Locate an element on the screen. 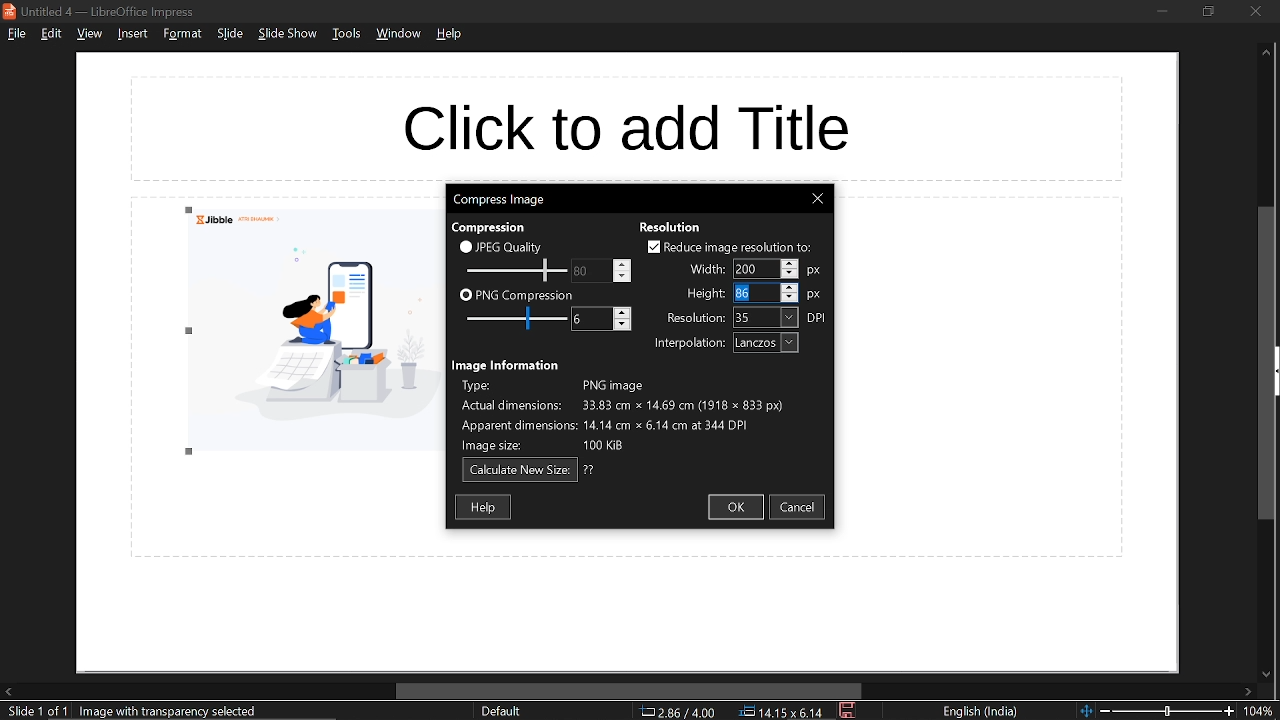  increase width is located at coordinates (789, 262).